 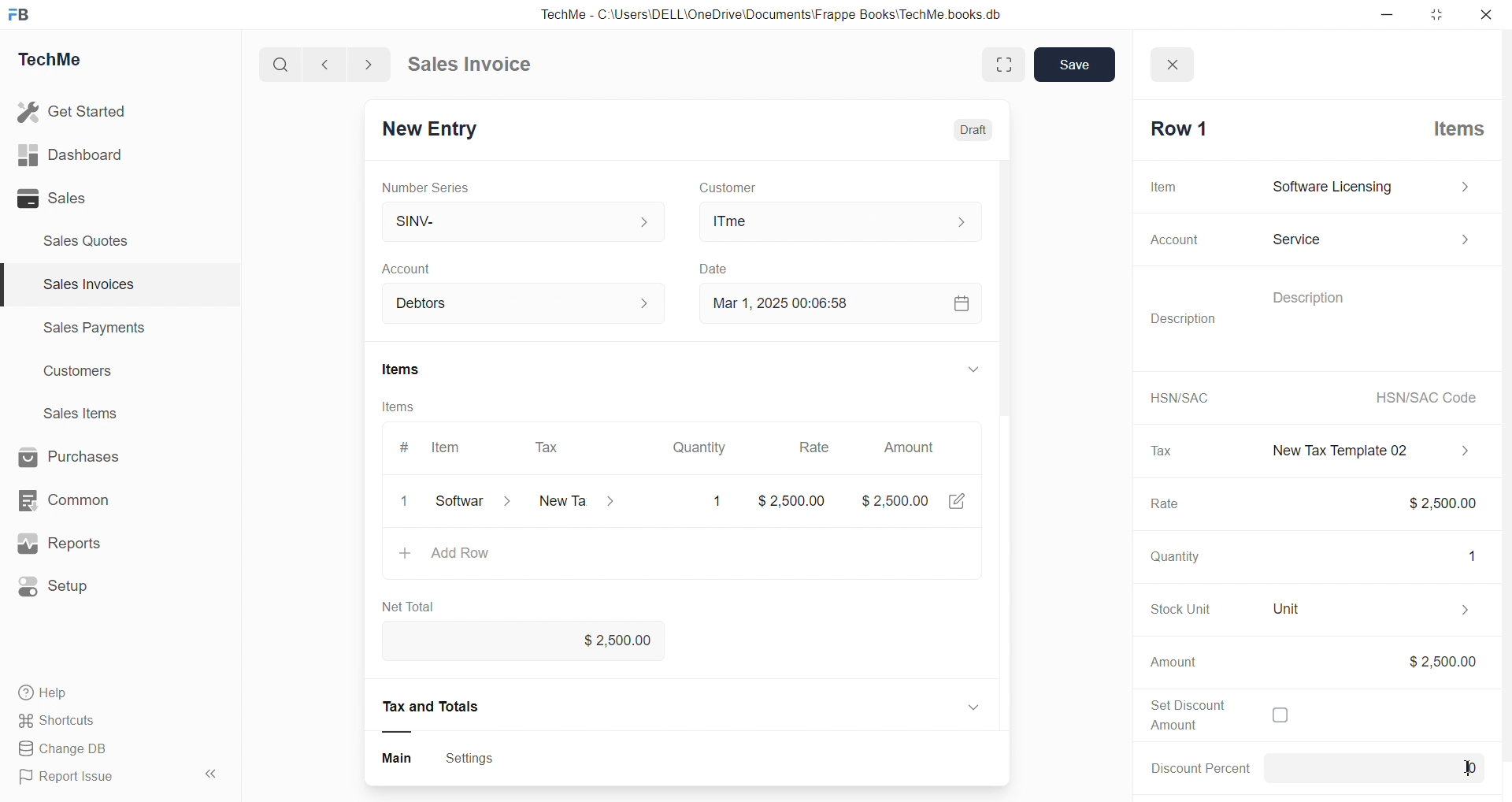 I want to click on Item, so click(x=1165, y=186).